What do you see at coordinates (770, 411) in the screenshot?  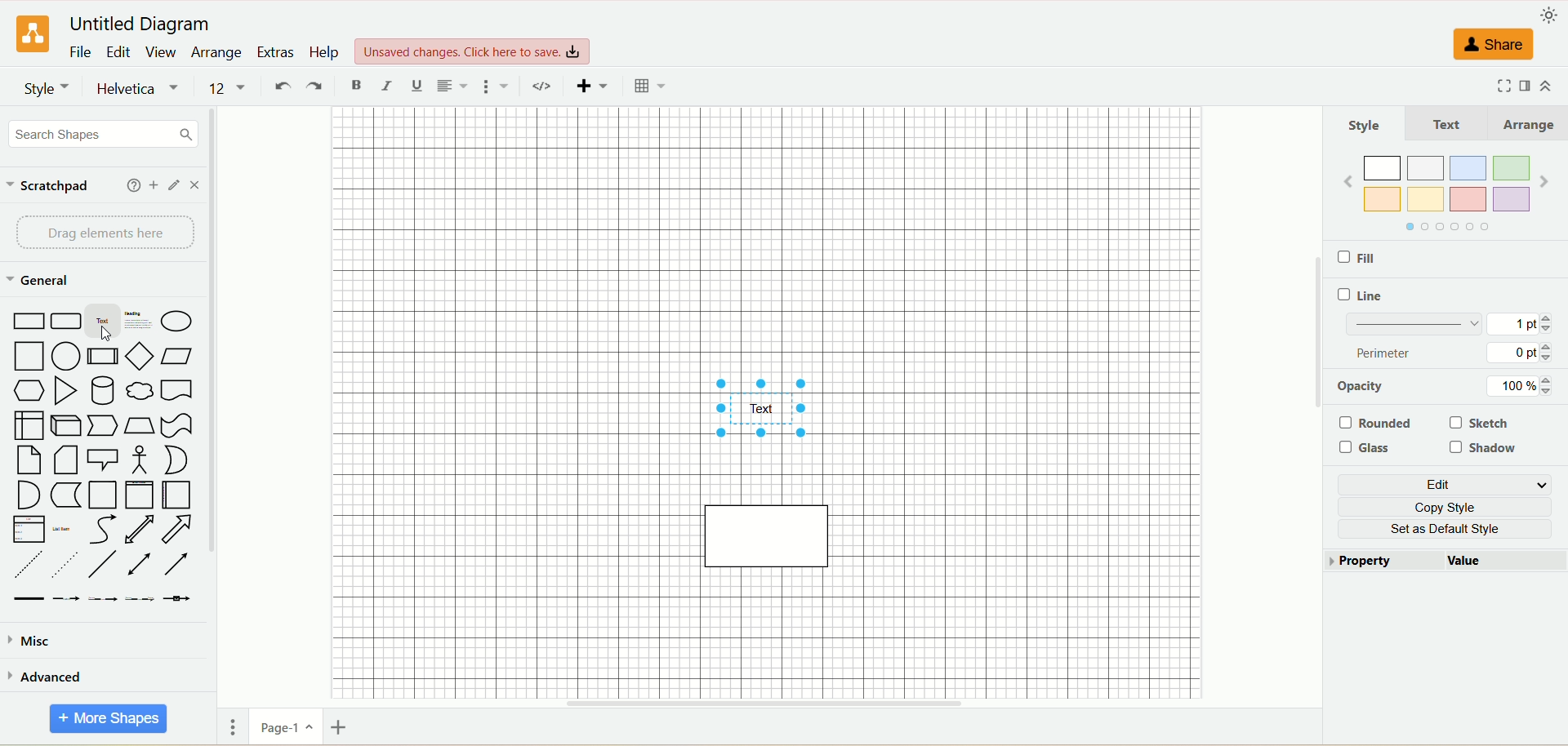 I see `text tool` at bounding box center [770, 411].